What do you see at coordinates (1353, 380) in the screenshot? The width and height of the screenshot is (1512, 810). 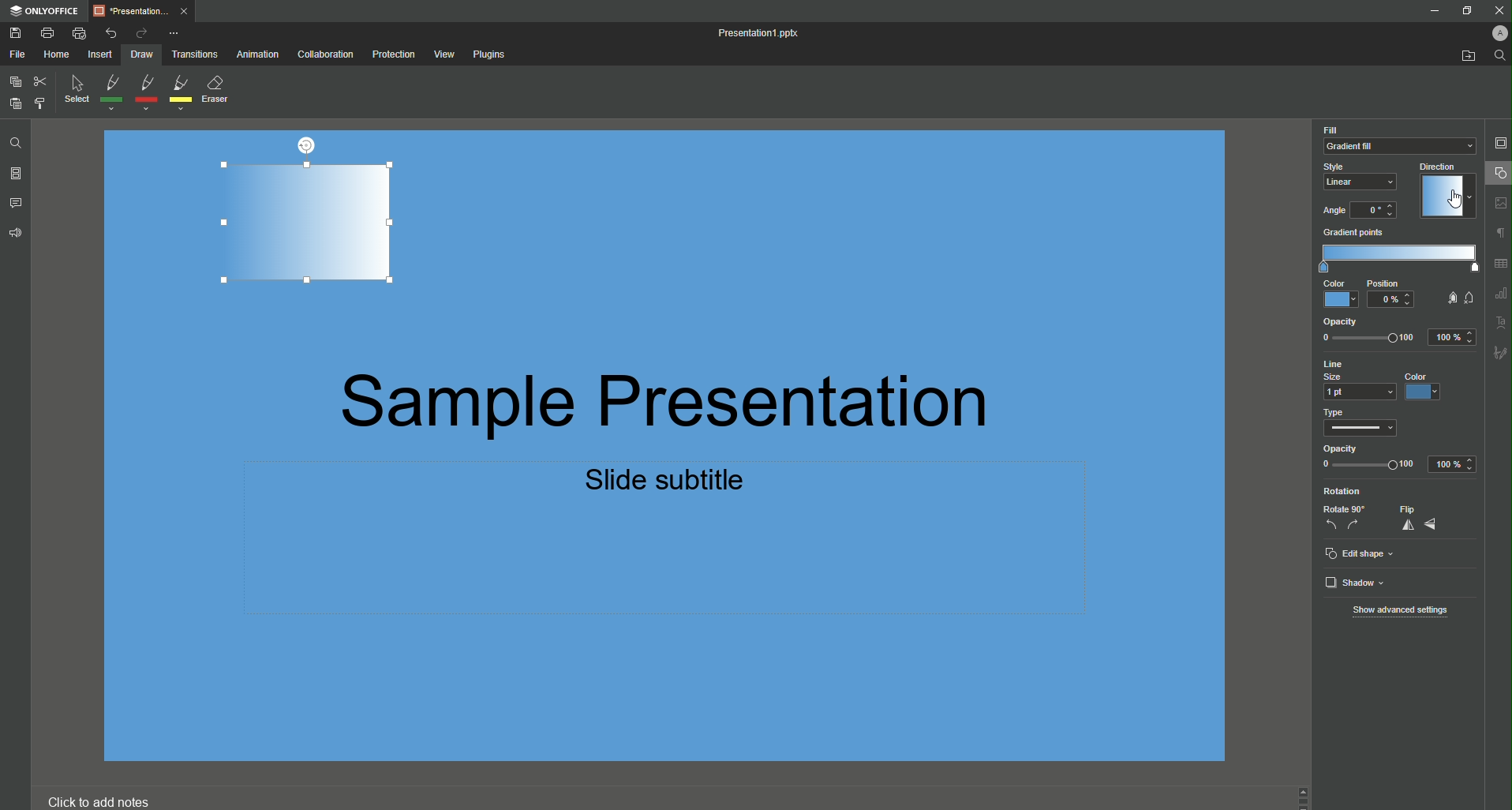 I see `Line size` at bounding box center [1353, 380].